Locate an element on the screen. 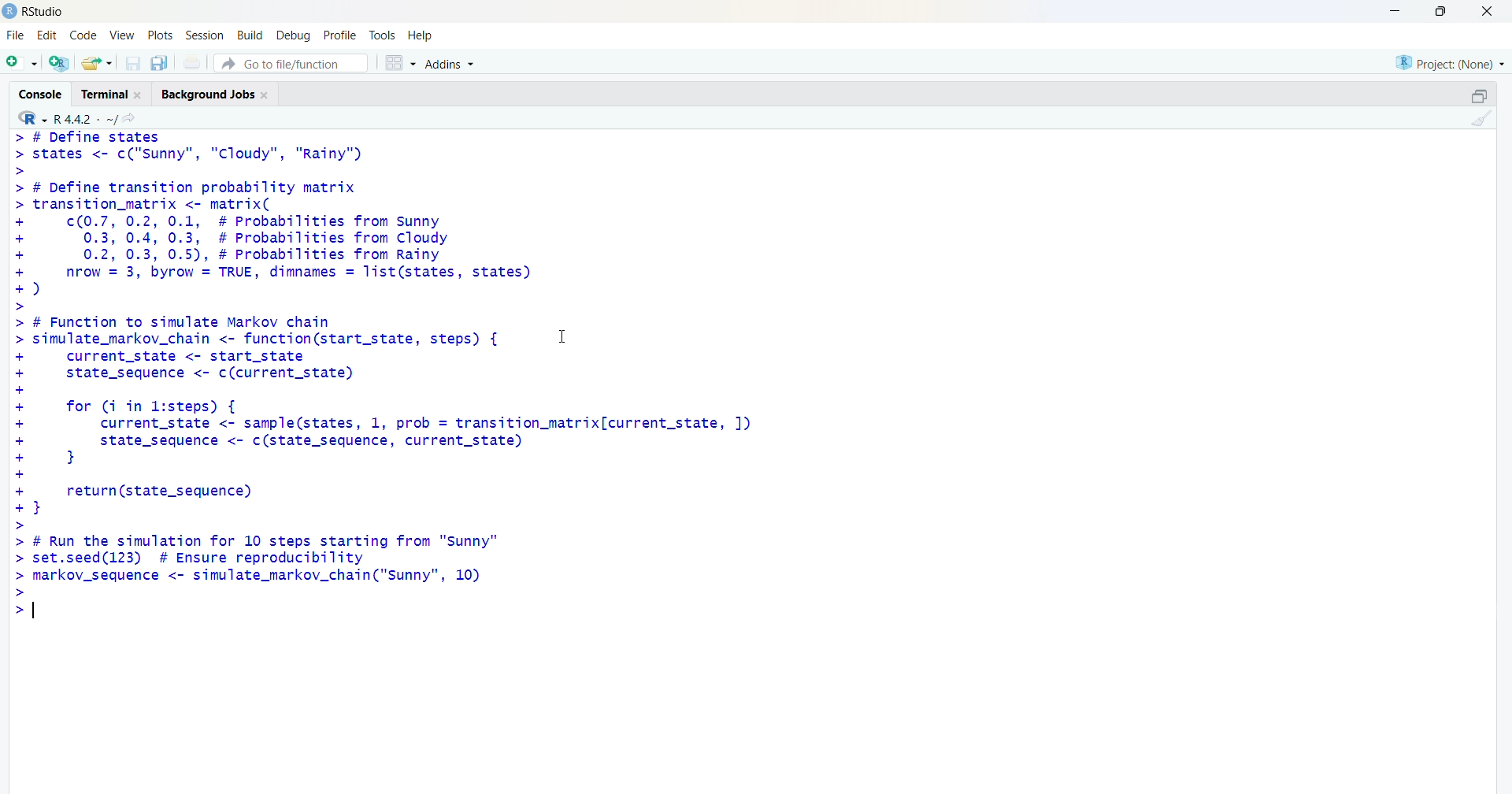 The image size is (1512, 794). close is located at coordinates (1487, 12).